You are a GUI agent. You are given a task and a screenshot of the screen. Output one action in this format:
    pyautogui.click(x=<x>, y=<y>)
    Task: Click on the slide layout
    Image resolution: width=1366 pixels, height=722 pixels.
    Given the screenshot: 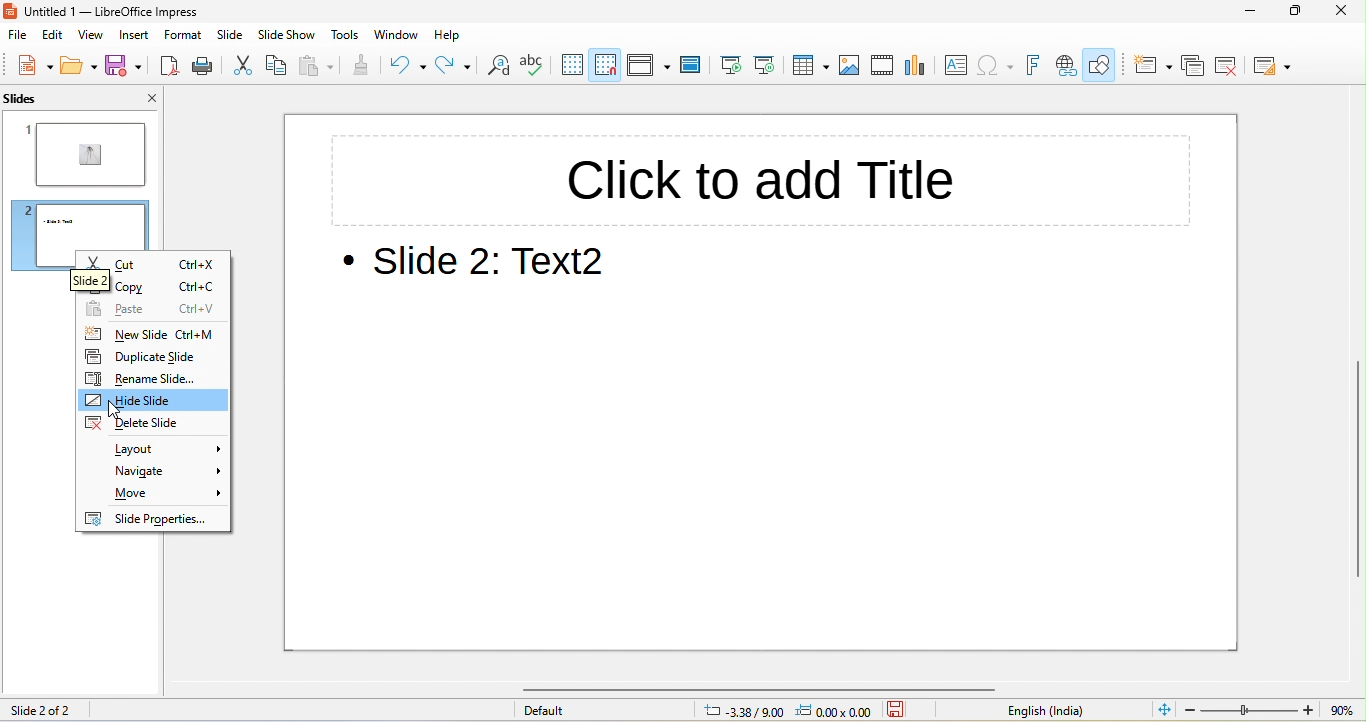 What is the action you would take?
    pyautogui.click(x=1275, y=67)
    